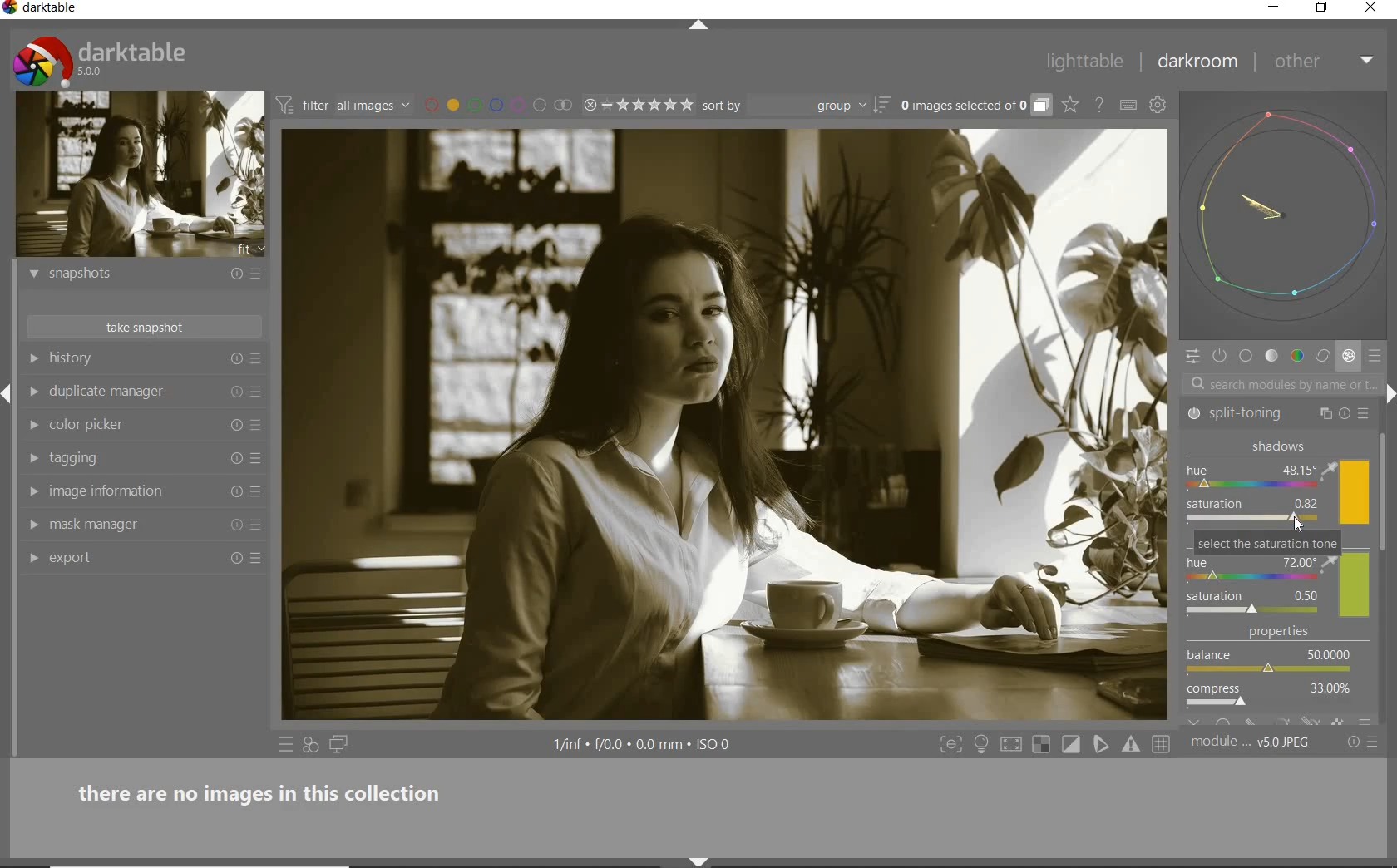 The height and width of the screenshot is (868, 1397). I want to click on preset and preferences, so click(258, 526).